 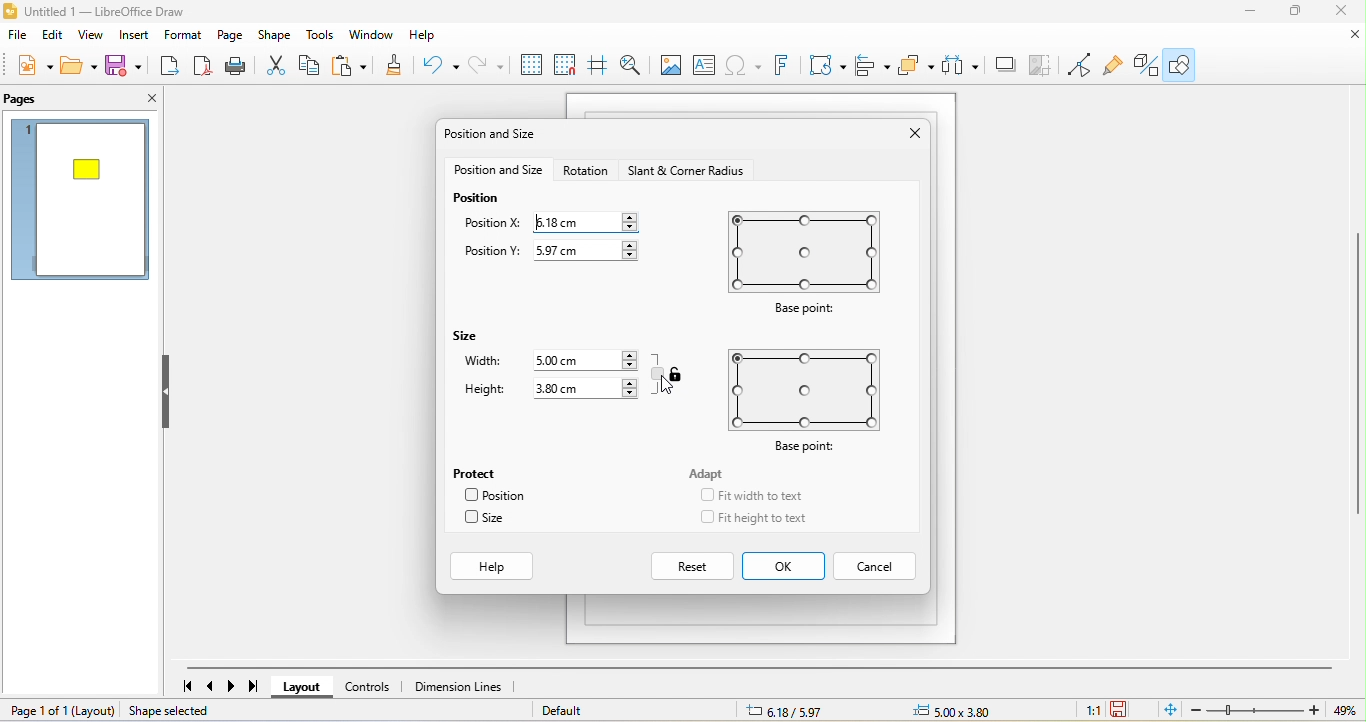 What do you see at coordinates (1168, 710) in the screenshot?
I see `fit page to current window` at bounding box center [1168, 710].